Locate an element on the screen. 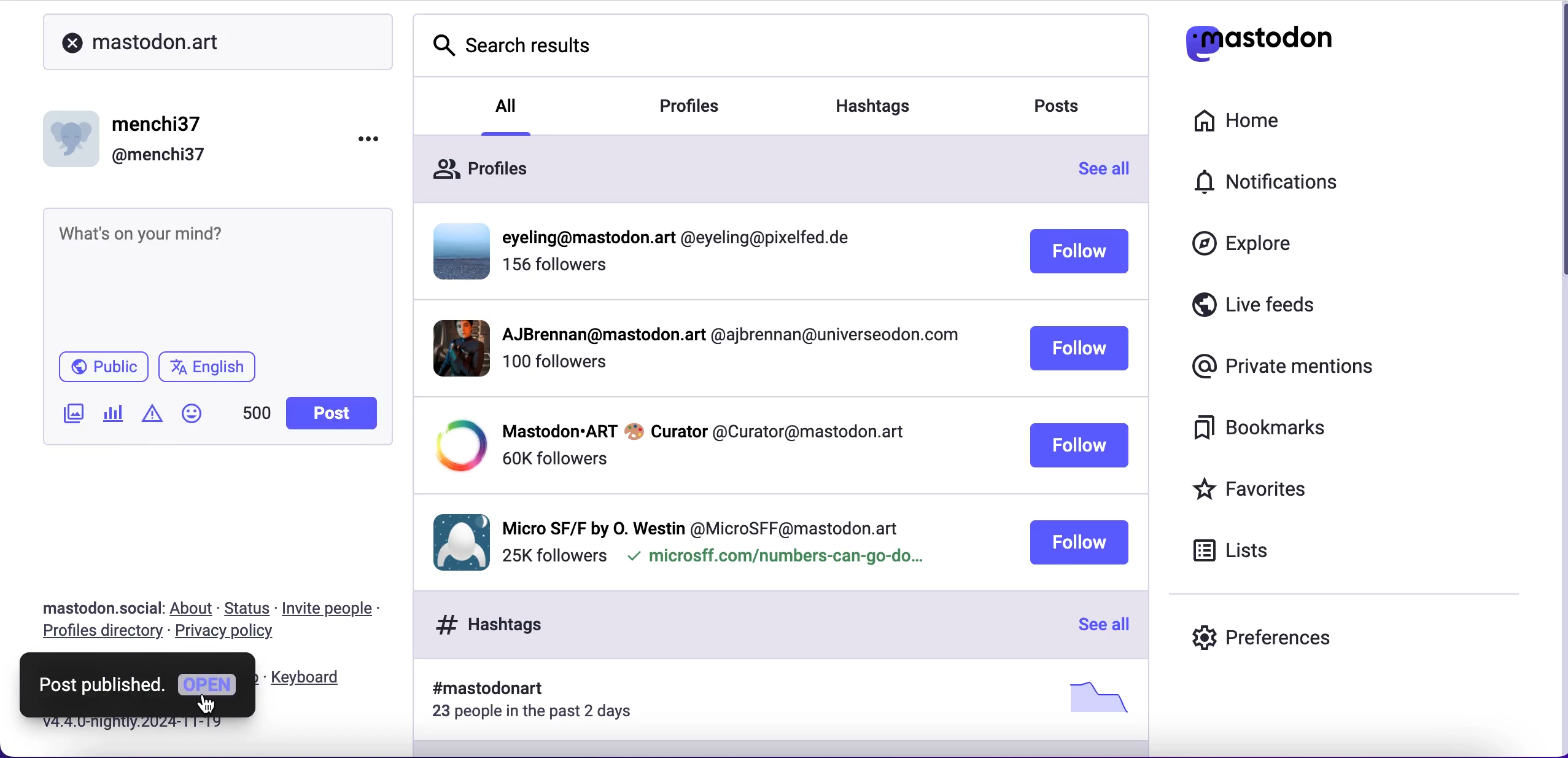  profile is located at coordinates (702, 525).